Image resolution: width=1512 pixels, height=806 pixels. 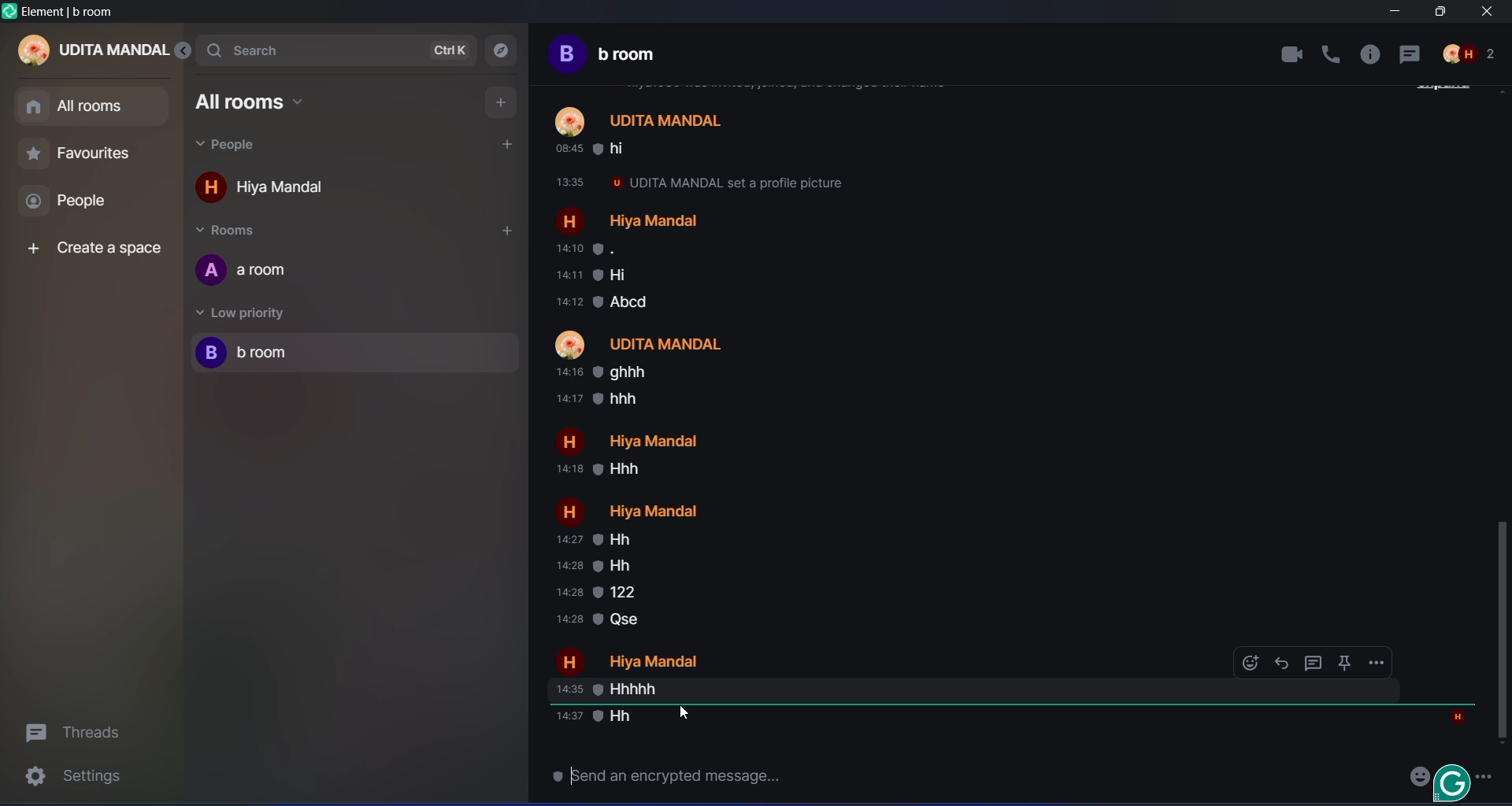 What do you see at coordinates (266, 49) in the screenshot?
I see `Search bar` at bounding box center [266, 49].